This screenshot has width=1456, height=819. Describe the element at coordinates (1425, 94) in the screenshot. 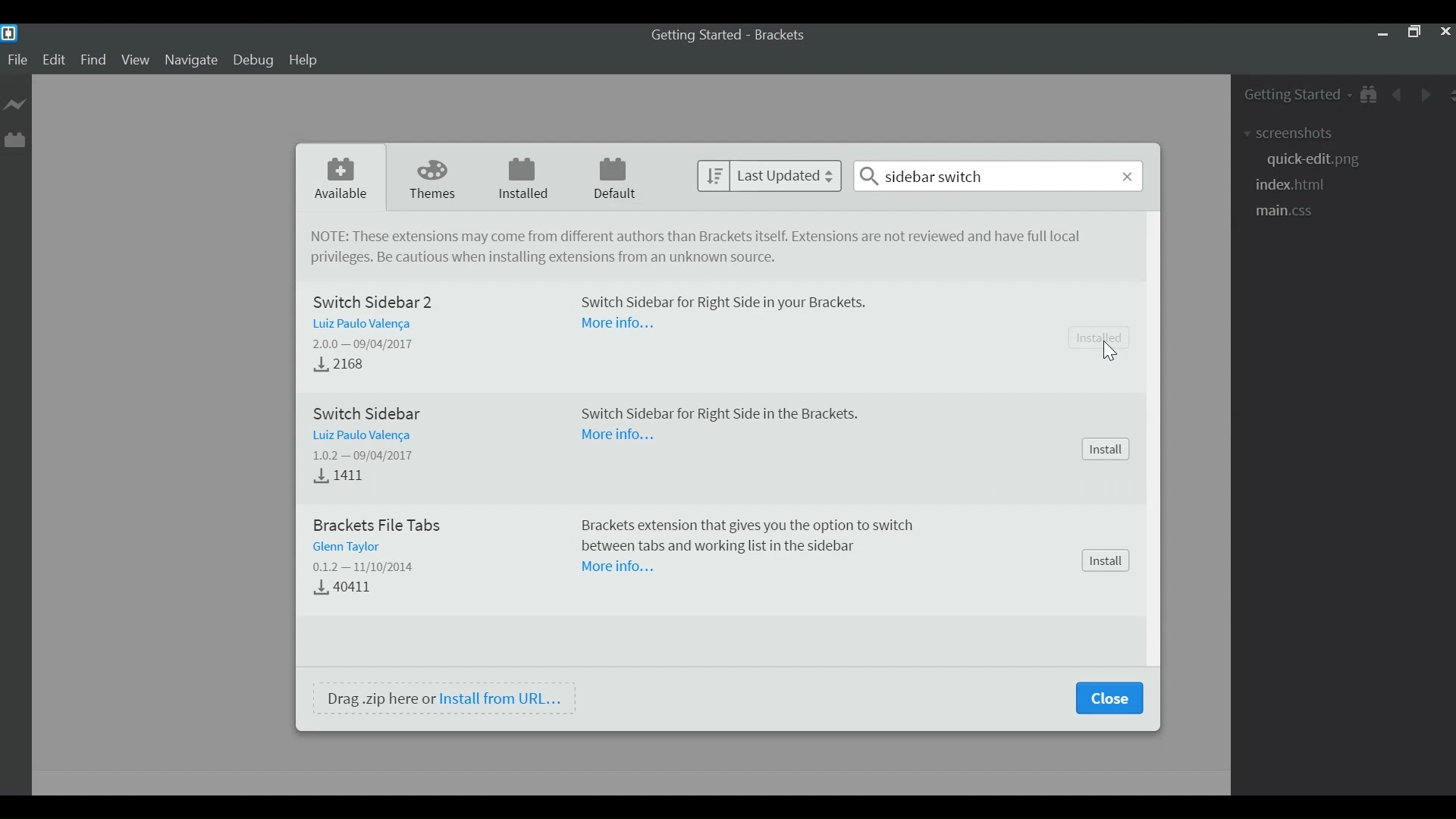

I see `Navigate Forward` at that location.